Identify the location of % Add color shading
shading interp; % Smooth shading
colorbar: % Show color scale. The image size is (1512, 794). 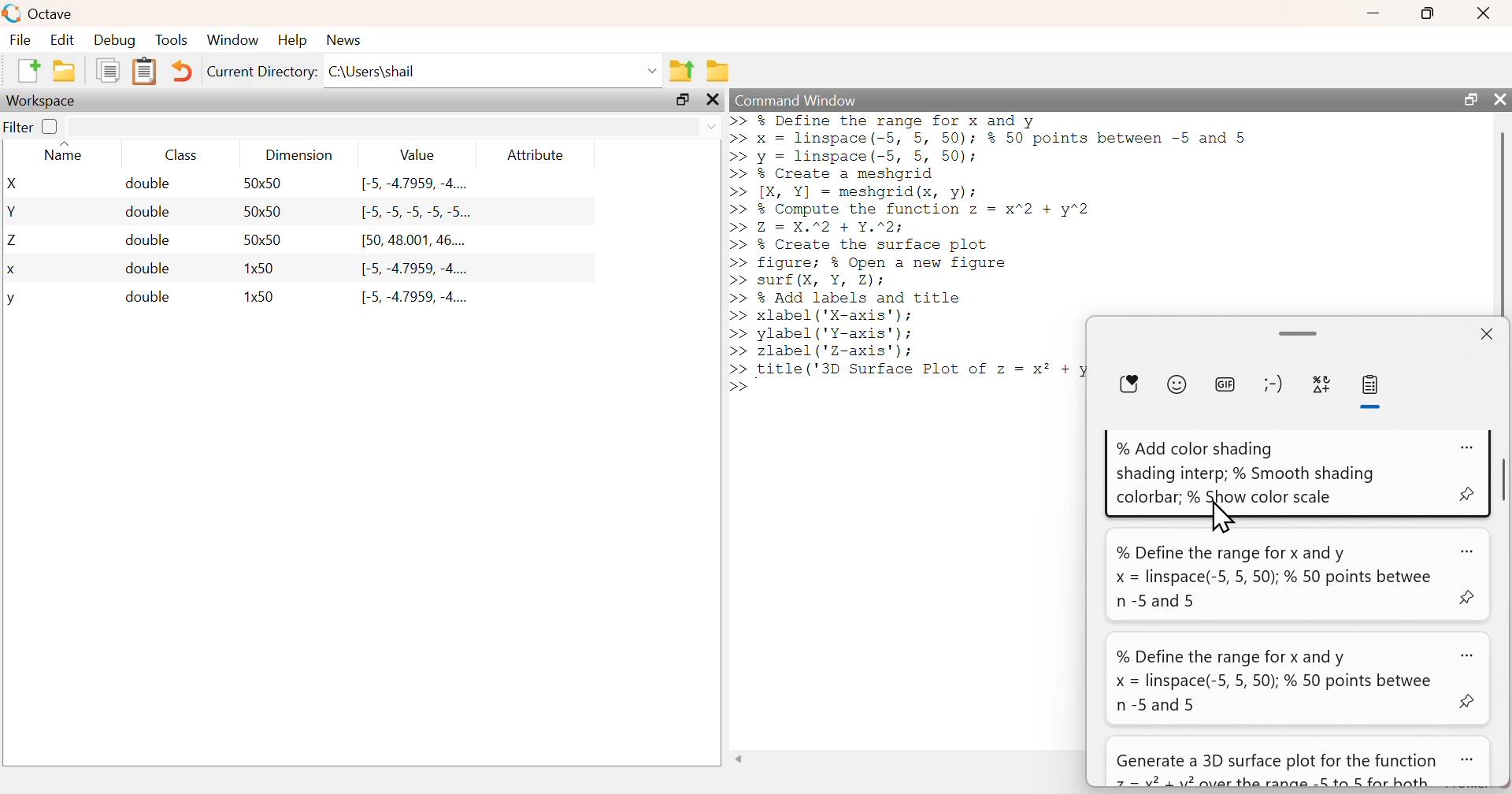
(1244, 472).